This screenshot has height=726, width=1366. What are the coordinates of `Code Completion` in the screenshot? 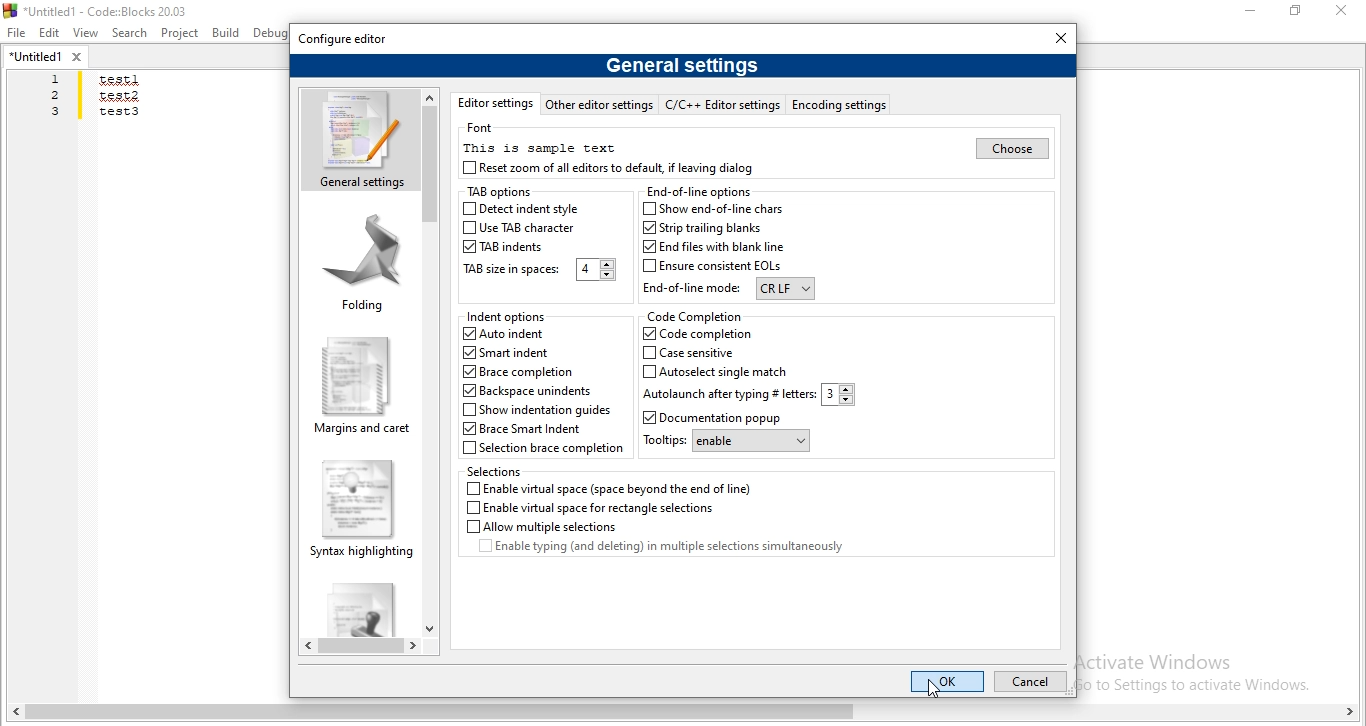 It's located at (694, 316).